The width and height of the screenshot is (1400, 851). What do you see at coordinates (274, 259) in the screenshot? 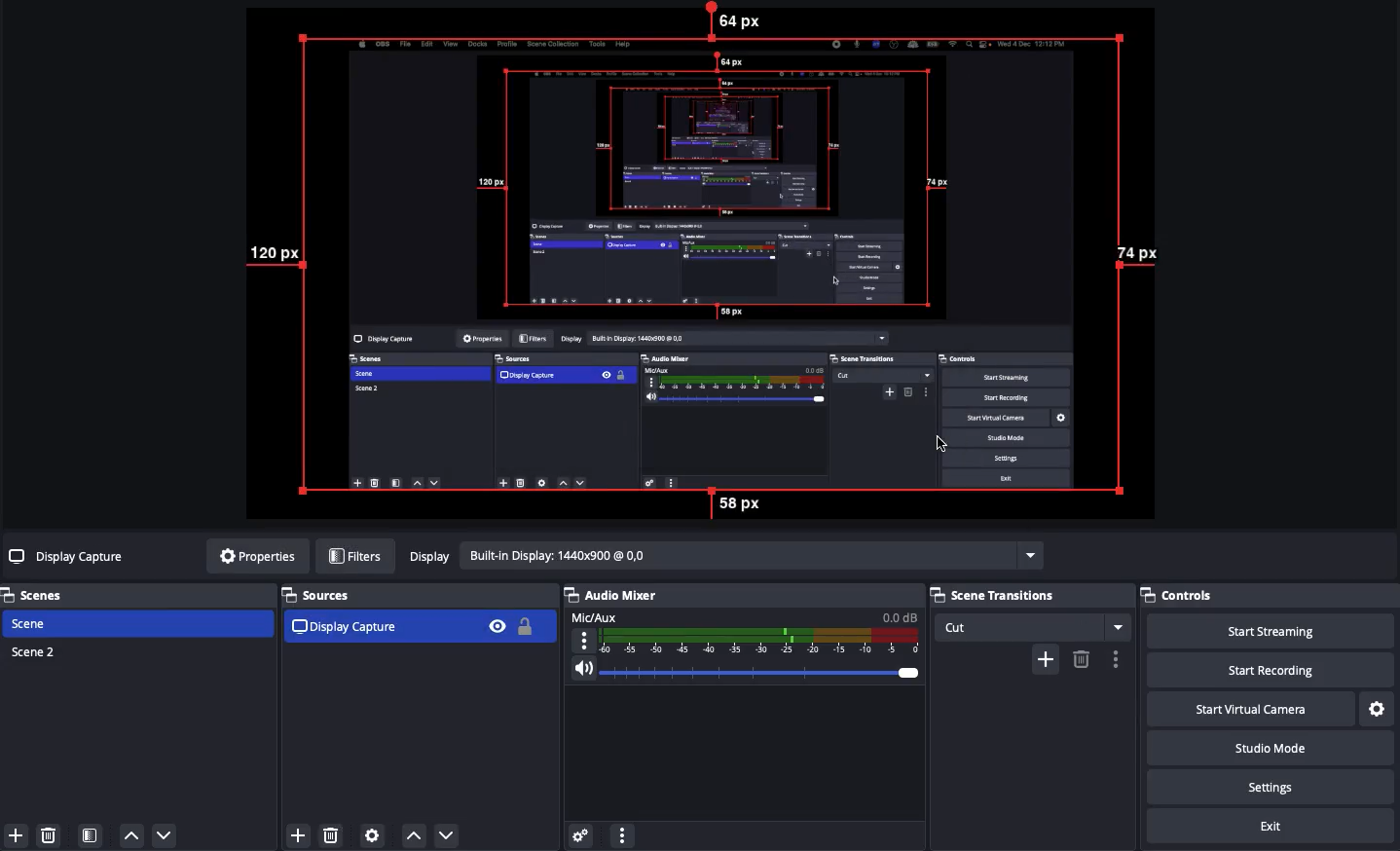
I see `120 px` at bounding box center [274, 259].